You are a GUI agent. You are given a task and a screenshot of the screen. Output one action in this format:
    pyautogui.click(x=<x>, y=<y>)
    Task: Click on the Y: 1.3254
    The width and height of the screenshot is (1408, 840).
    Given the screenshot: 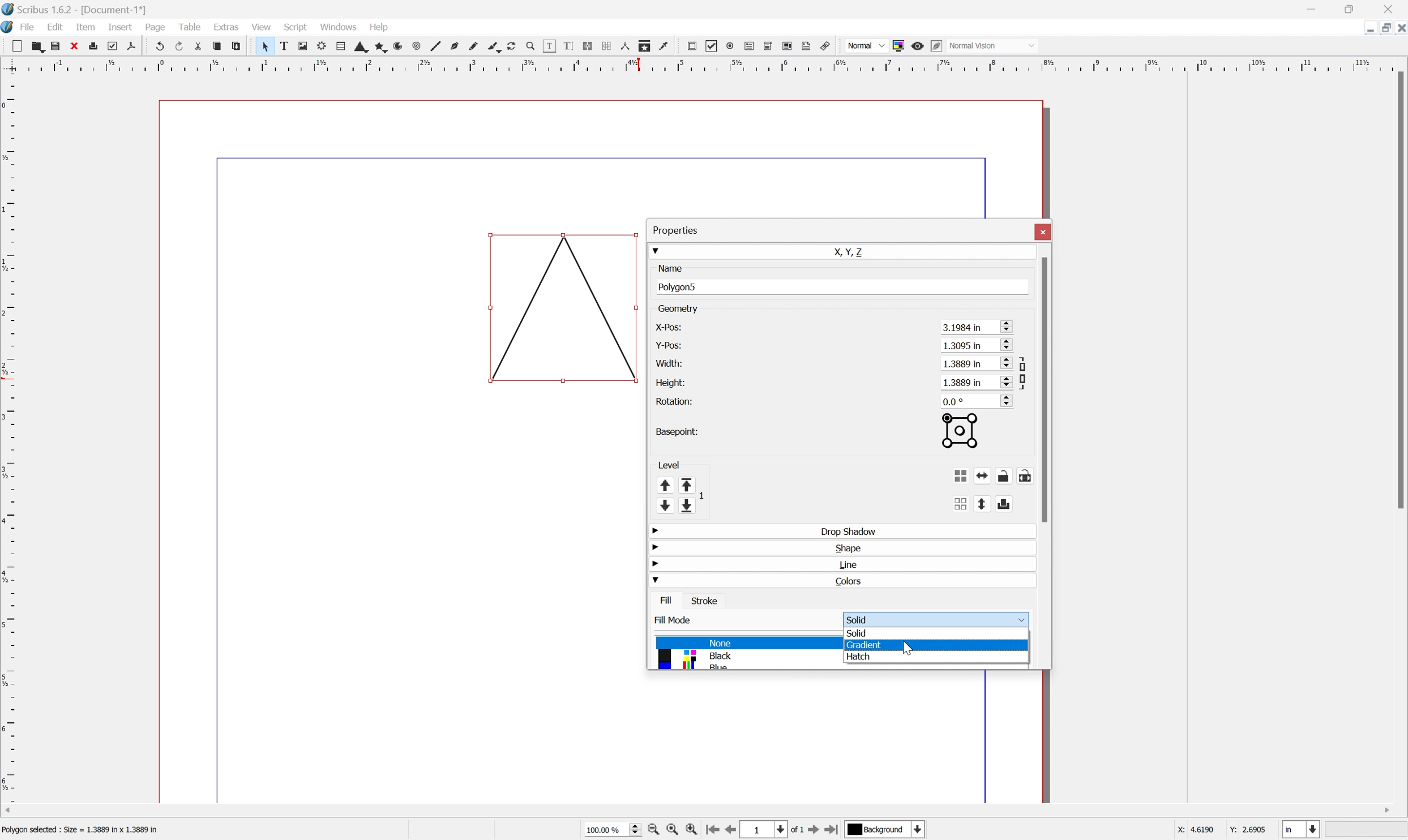 What is the action you would take?
    pyautogui.click(x=1247, y=830)
    